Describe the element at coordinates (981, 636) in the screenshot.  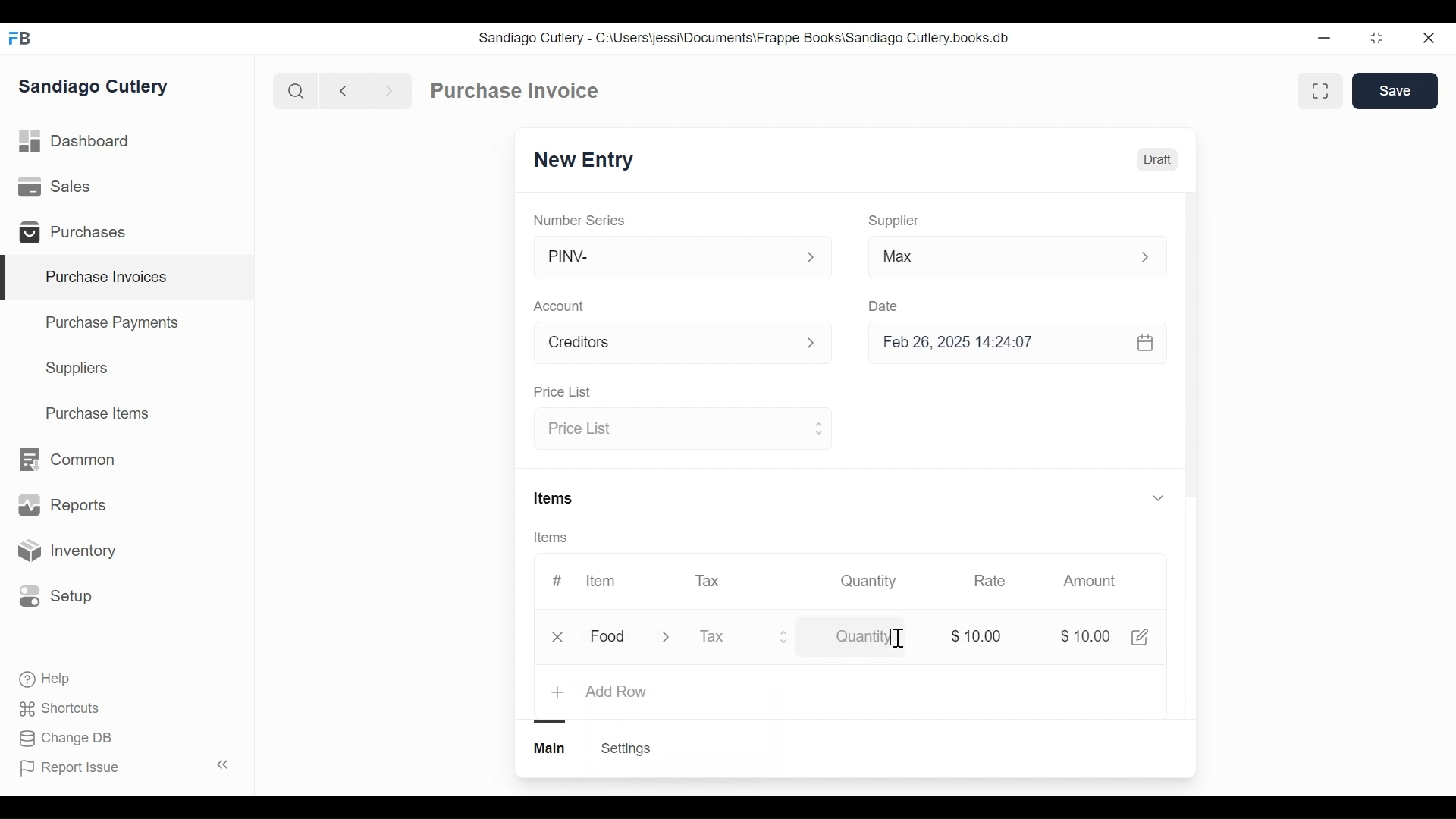
I see `$0.00` at that location.